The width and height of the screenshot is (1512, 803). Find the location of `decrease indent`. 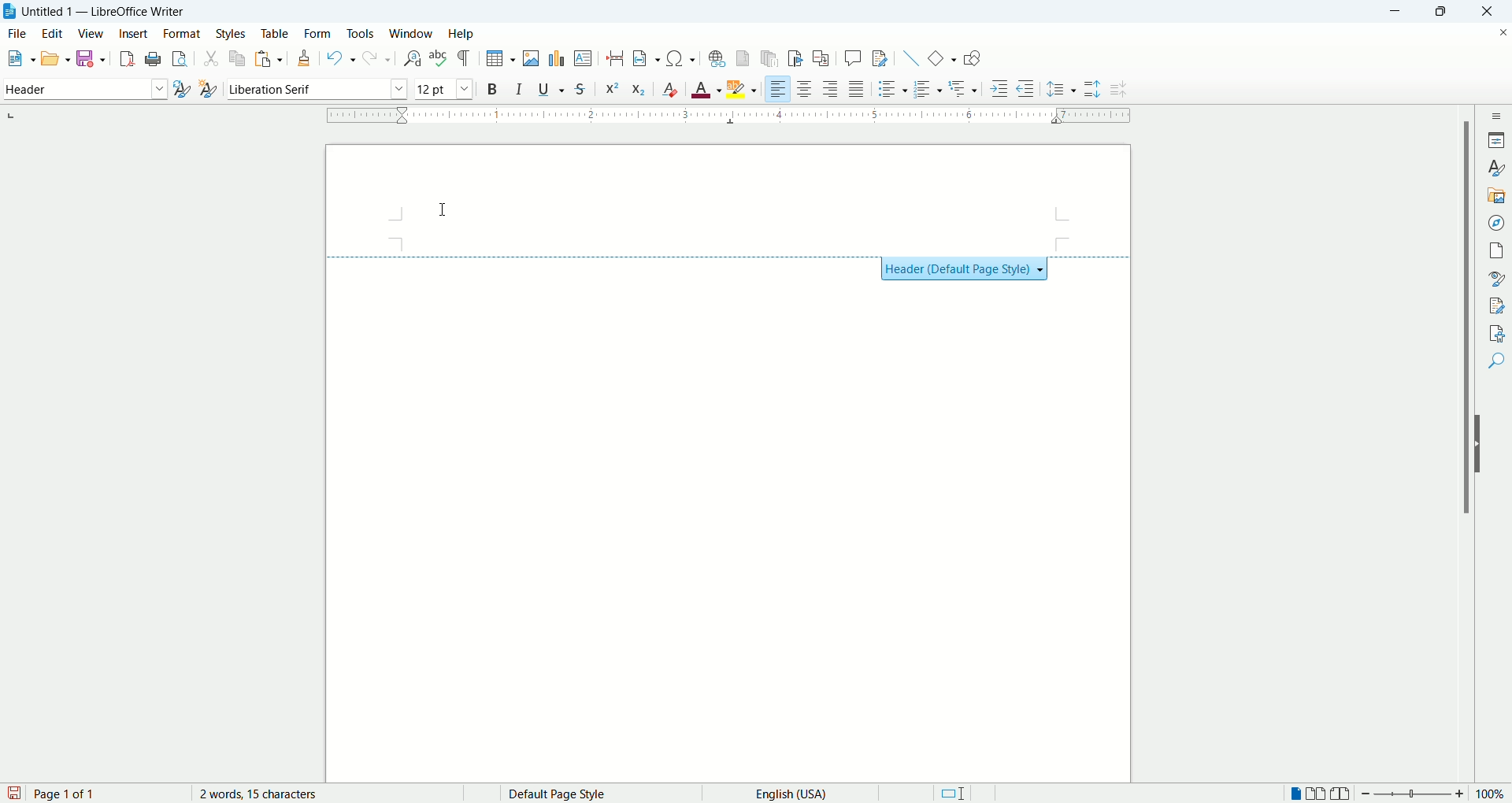

decrease indent is located at coordinates (1025, 89).